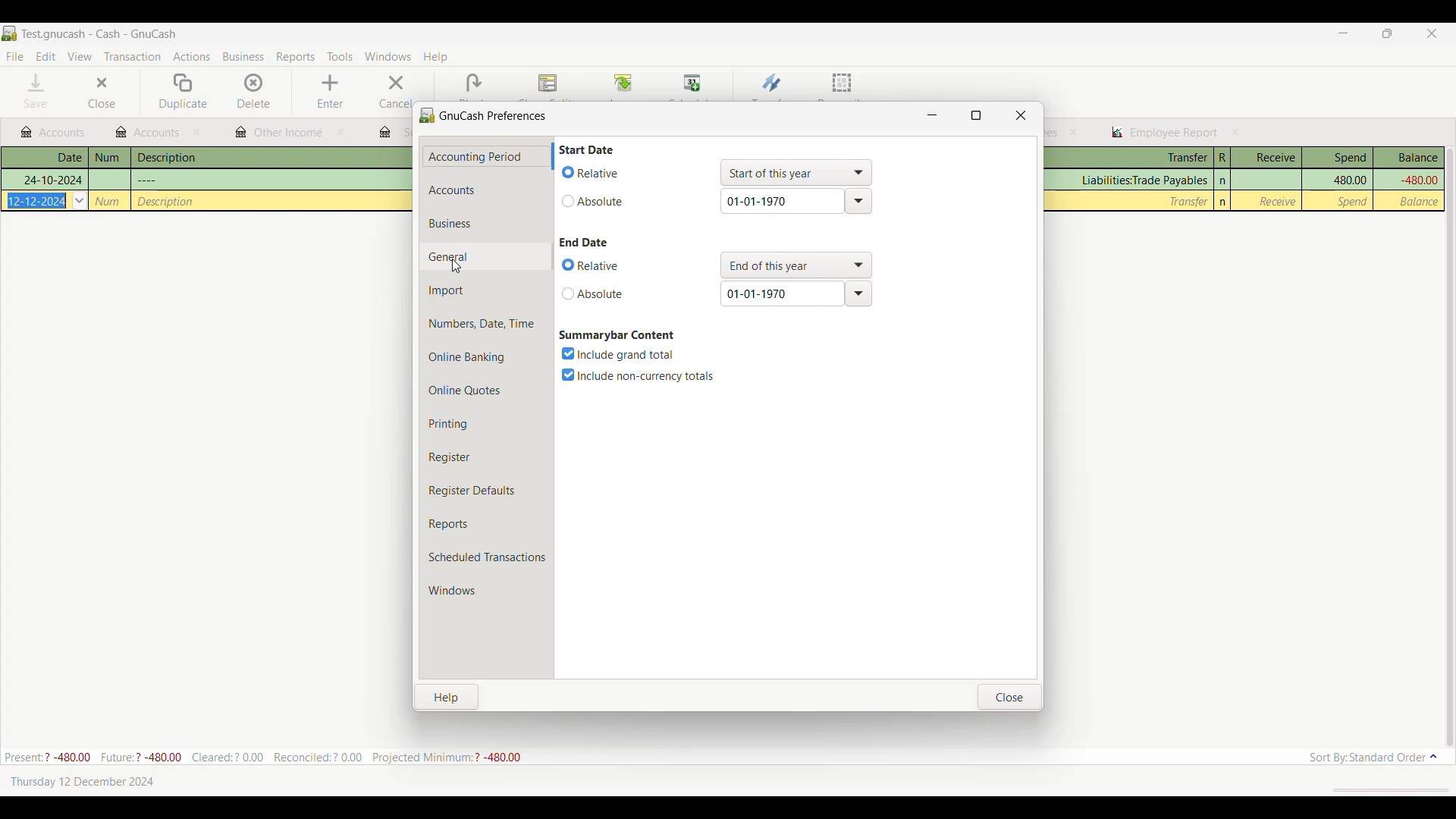 Image resolution: width=1456 pixels, height=819 pixels. I want to click on vertical slider, so click(1449, 440).